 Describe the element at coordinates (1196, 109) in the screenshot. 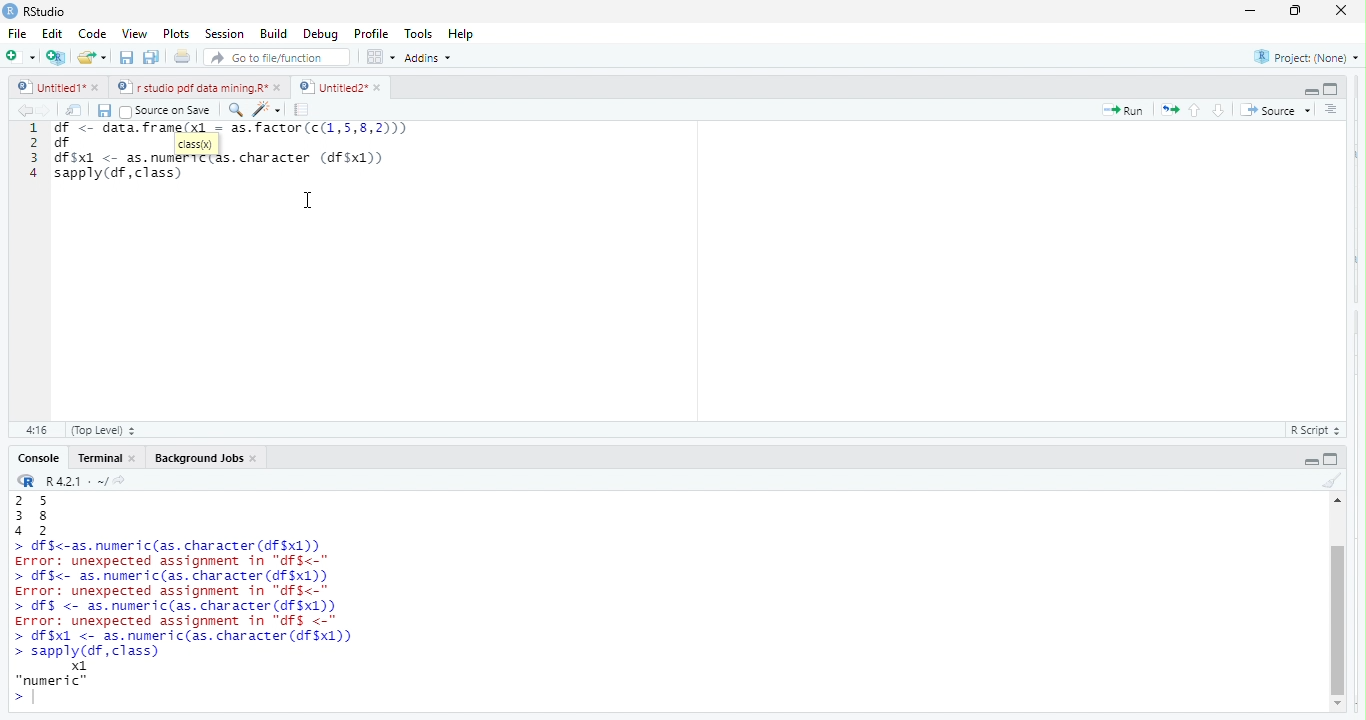

I see `go to previous section/chunk` at that location.